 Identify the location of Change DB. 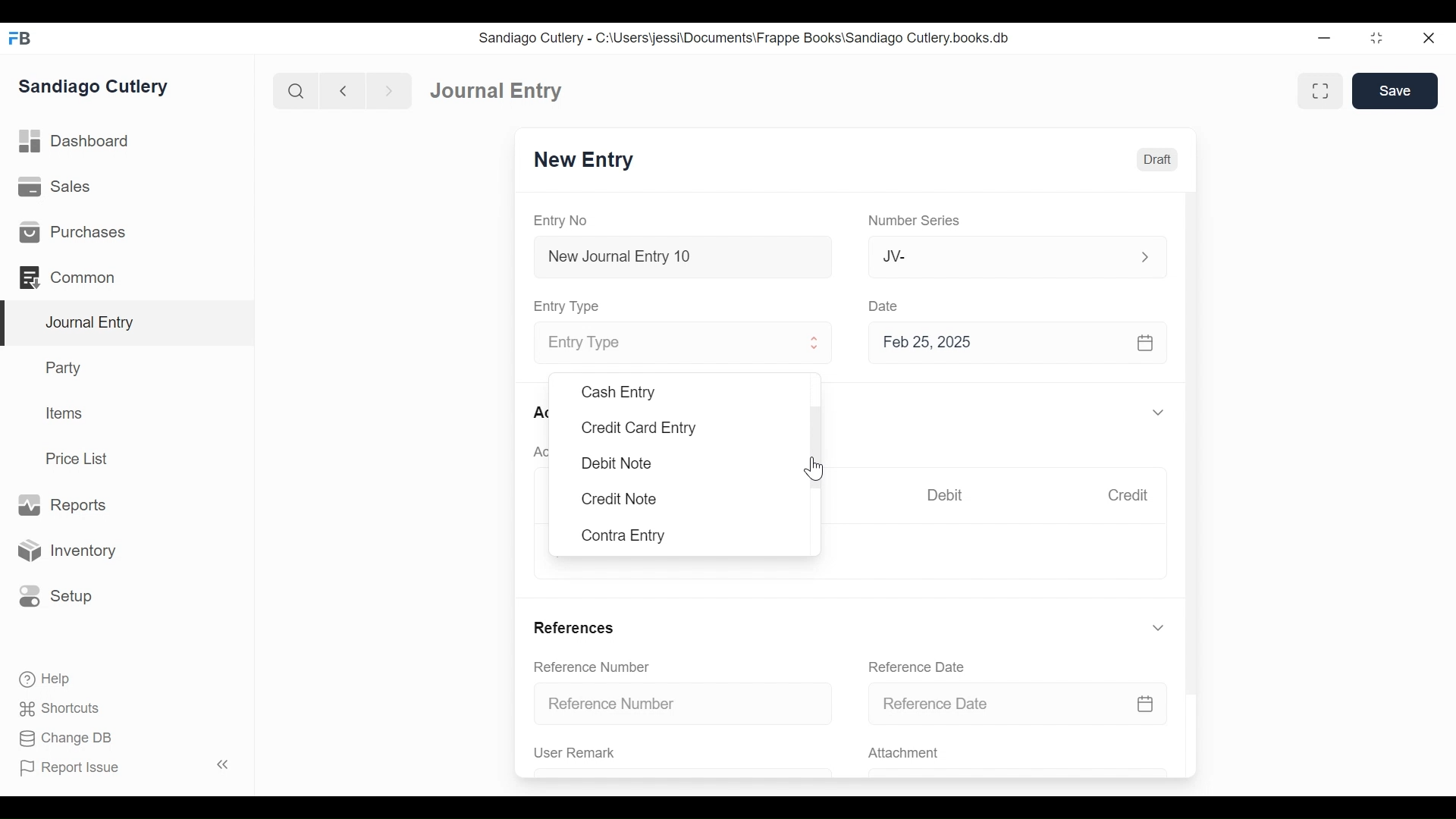
(61, 738).